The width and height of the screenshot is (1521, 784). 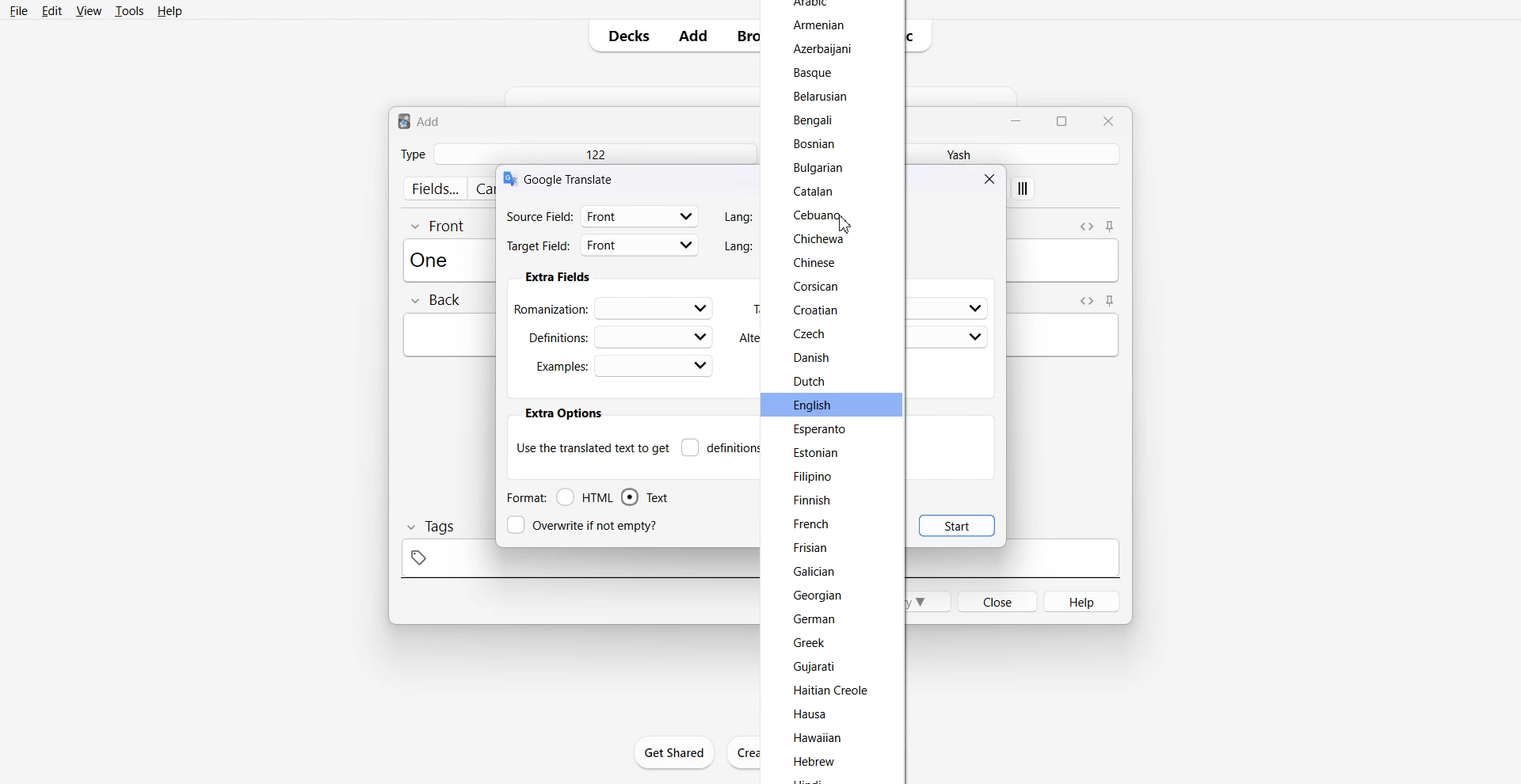 What do you see at coordinates (820, 96) in the screenshot?
I see `Belarusian` at bounding box center [820, 96].